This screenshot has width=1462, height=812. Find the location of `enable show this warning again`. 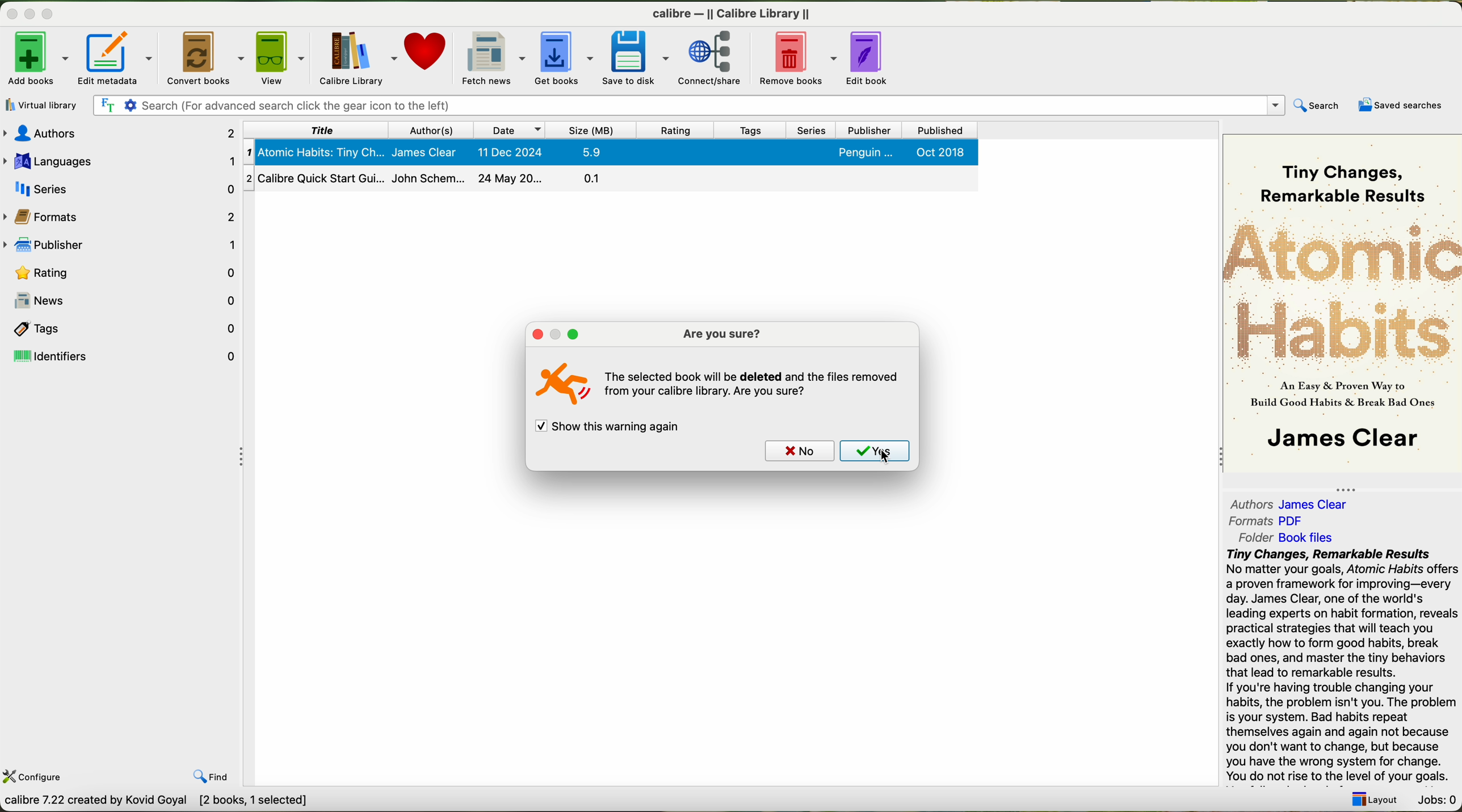

enable show this warning again is located at coordinates (610, 428).